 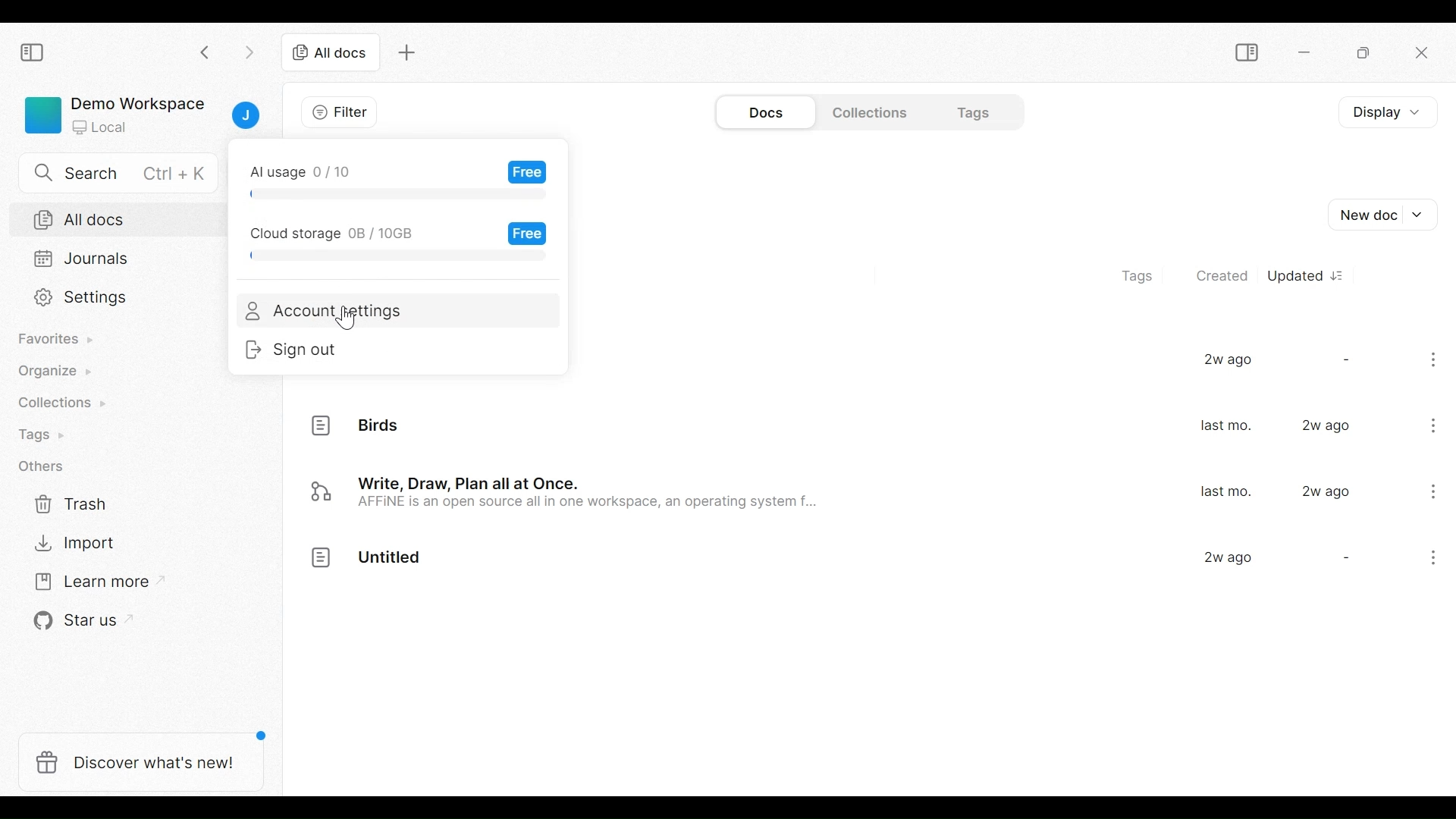 What do you see at coordinates (529, 234) in the screenshot?
I see `Free` at bounding box center [529, 234].